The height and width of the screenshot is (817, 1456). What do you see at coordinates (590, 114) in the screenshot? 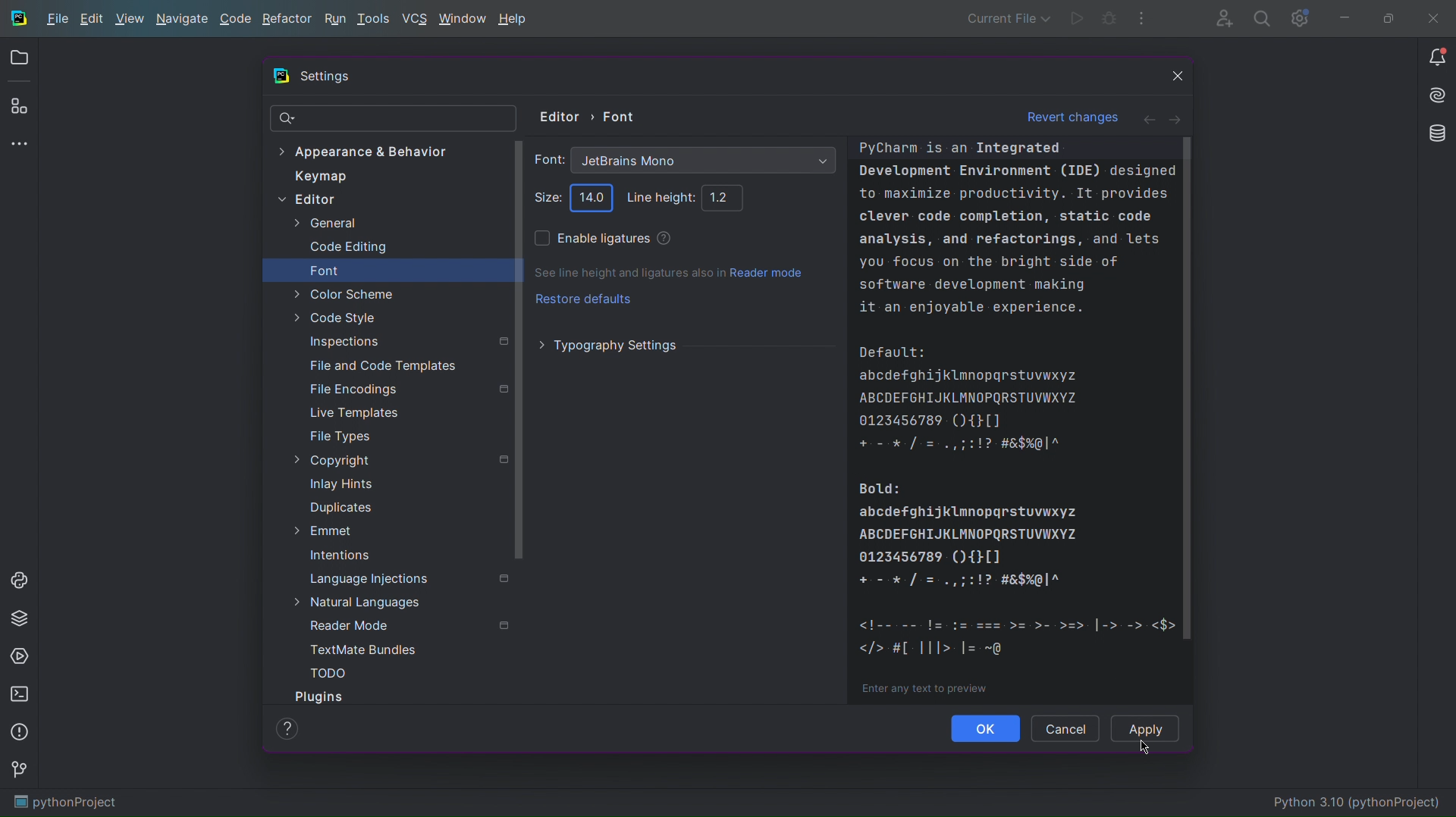
I see `Editor > Font` at bounding box center [590, 114].